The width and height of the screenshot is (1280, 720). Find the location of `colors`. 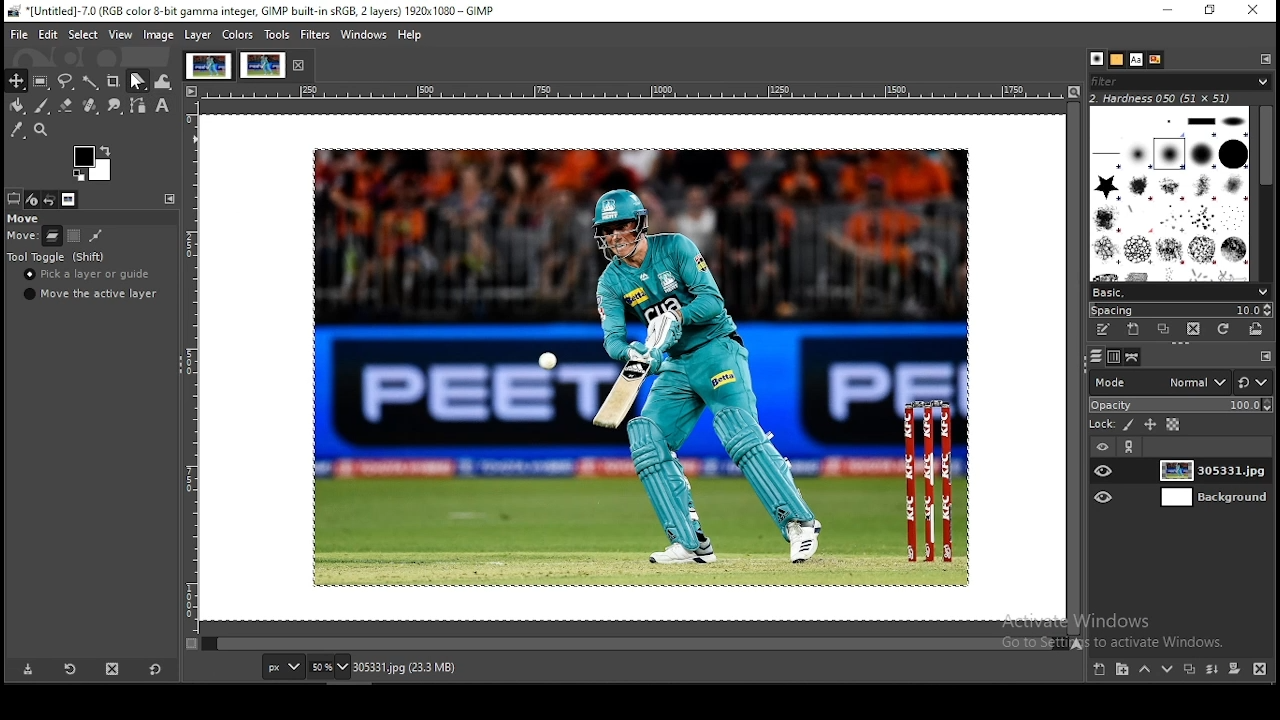

colors is located at coordinates (93, 161).